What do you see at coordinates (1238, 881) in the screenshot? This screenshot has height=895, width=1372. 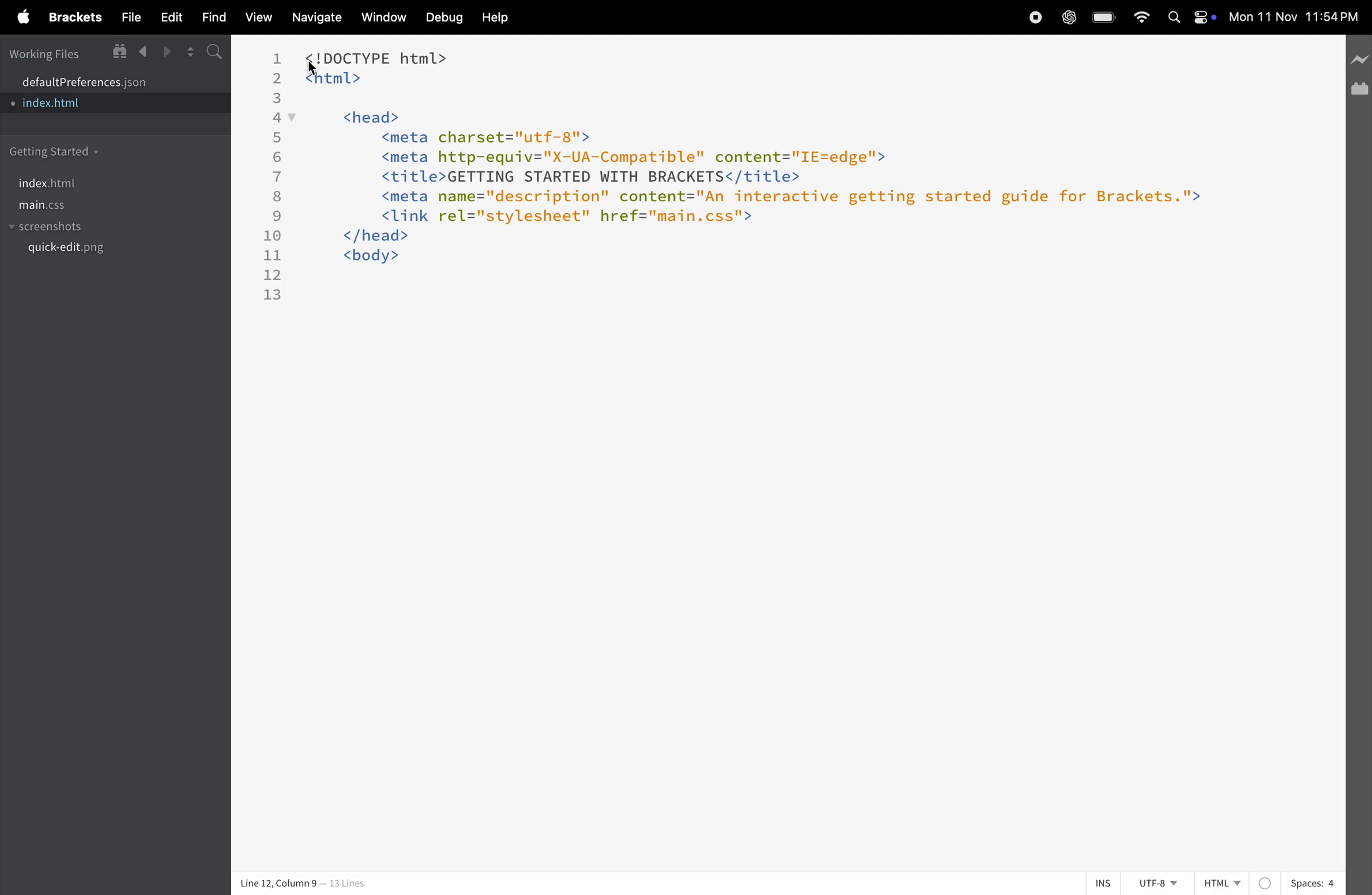 I see `html` at bounding box center [1238, 881].